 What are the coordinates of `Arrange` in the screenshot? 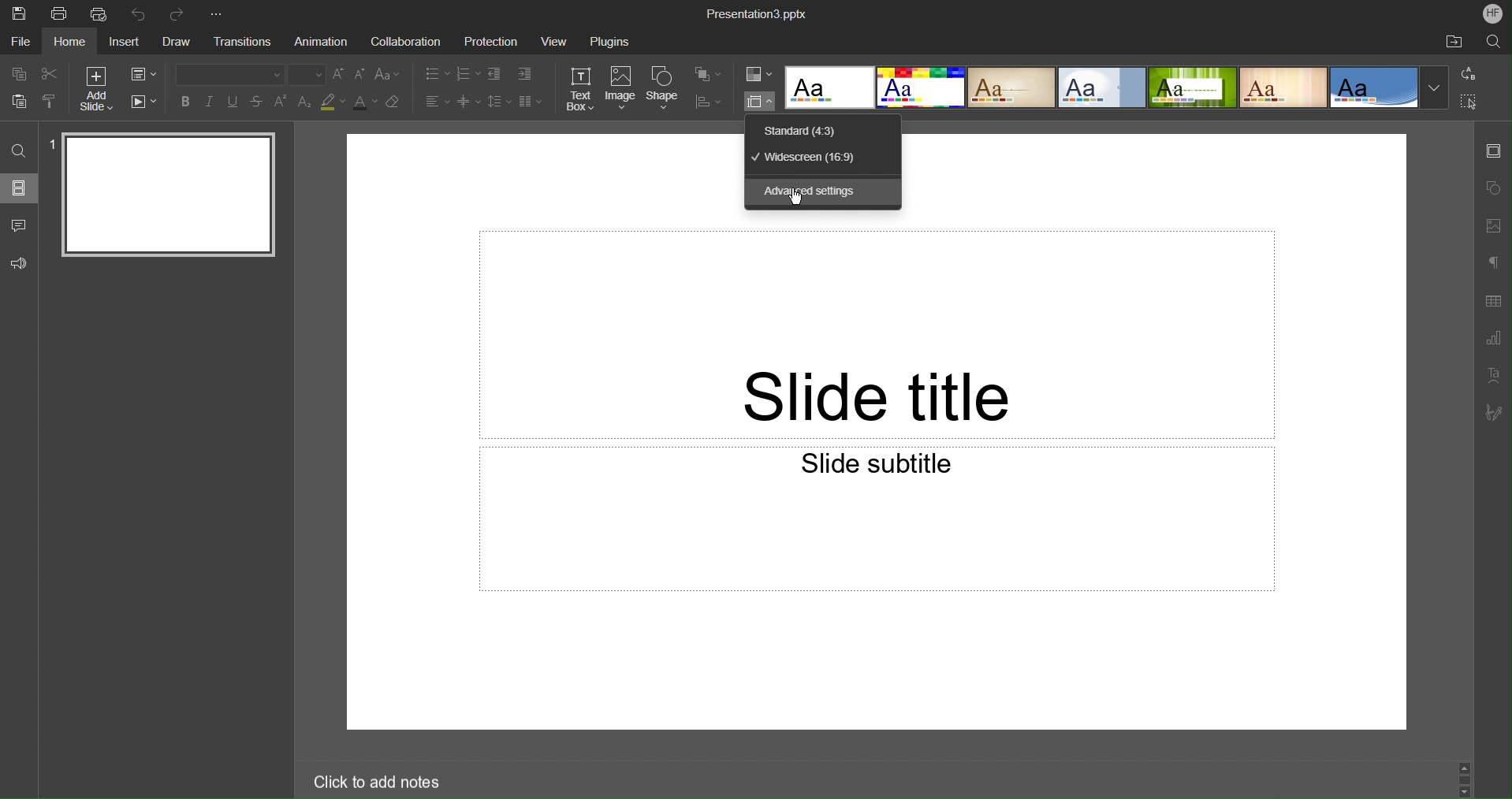 It's located at (707, 75).